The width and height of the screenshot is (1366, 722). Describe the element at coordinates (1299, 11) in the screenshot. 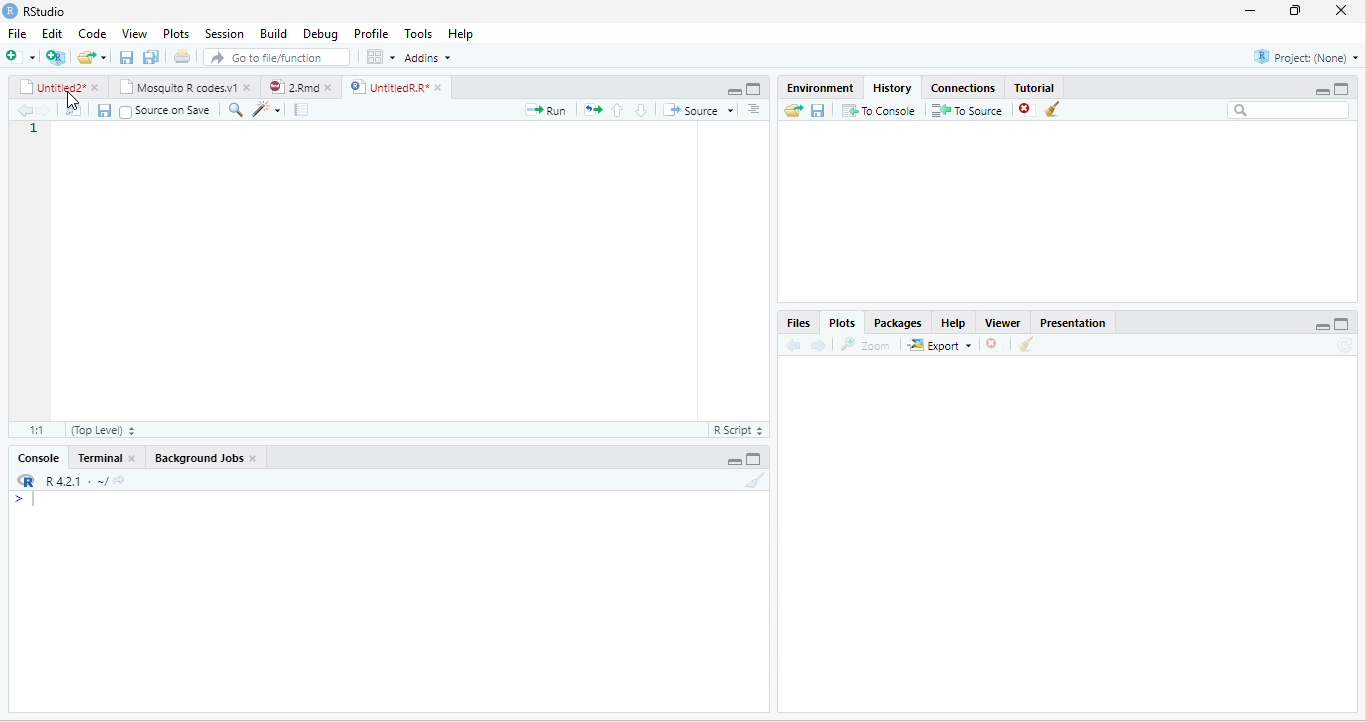

I see `maximize` at that location.